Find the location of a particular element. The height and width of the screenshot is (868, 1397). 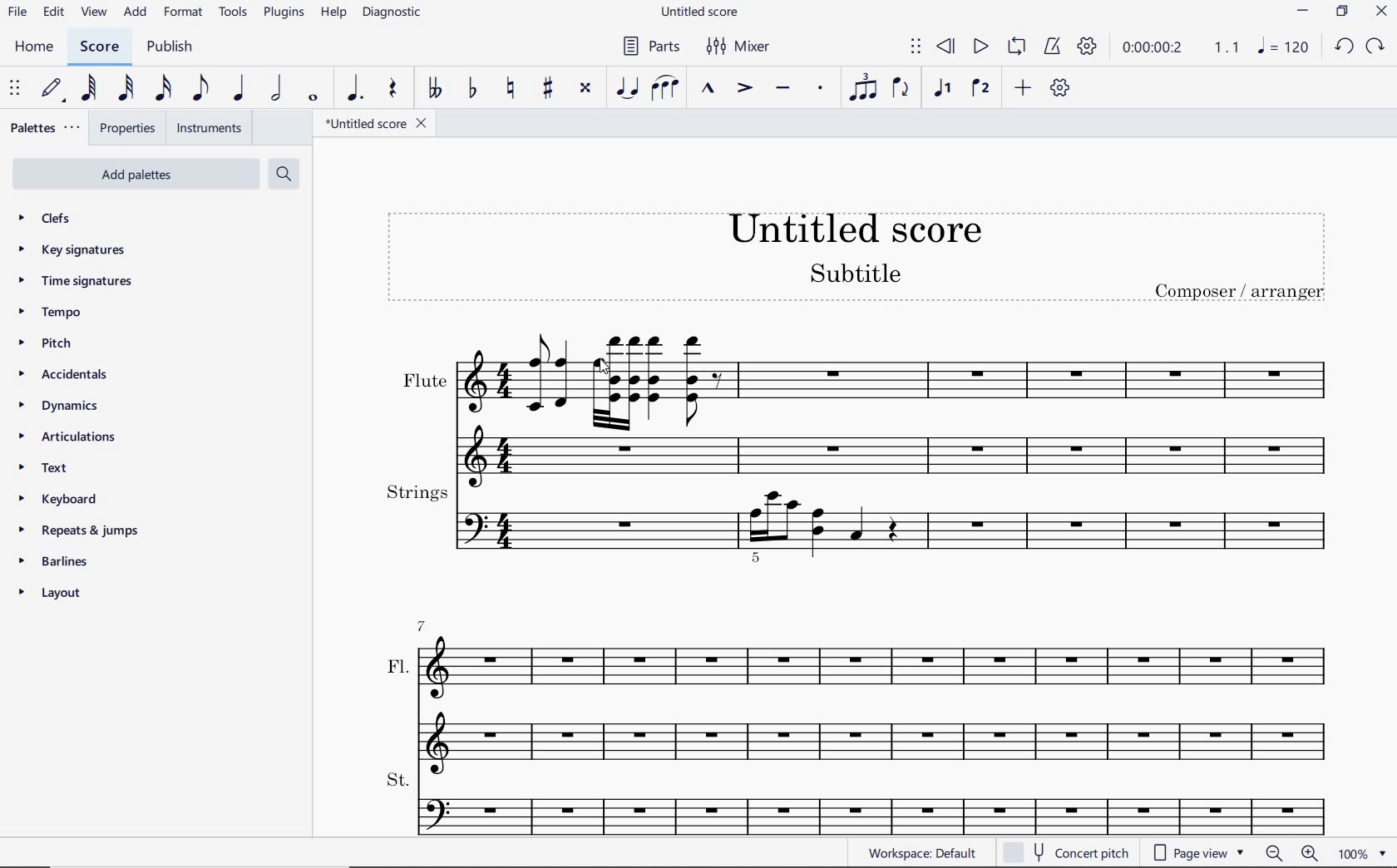

SLUR is located at coordinates (664, 89).